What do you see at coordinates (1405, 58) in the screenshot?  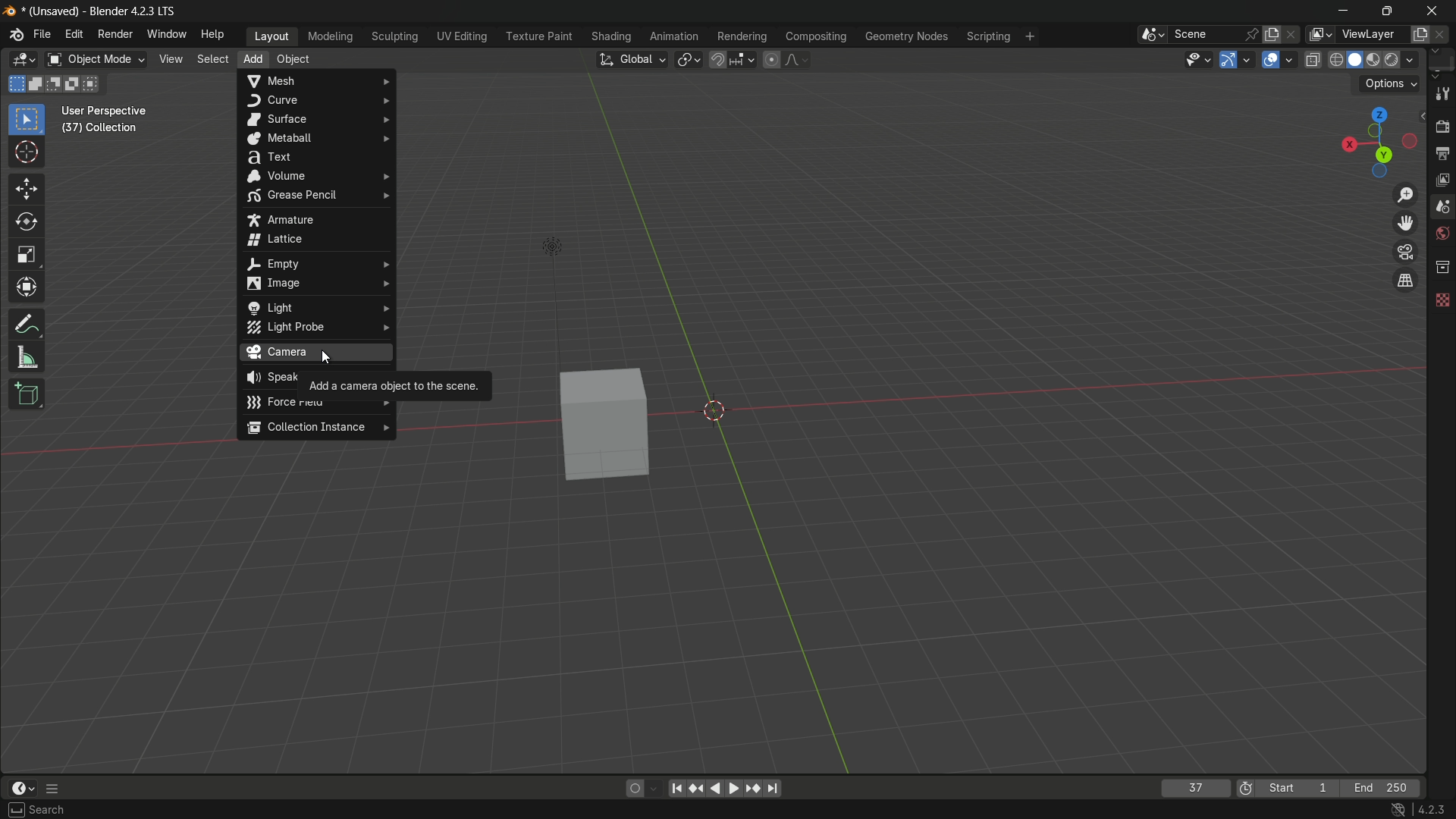 I see `render` at bounding box center [1405, 58].